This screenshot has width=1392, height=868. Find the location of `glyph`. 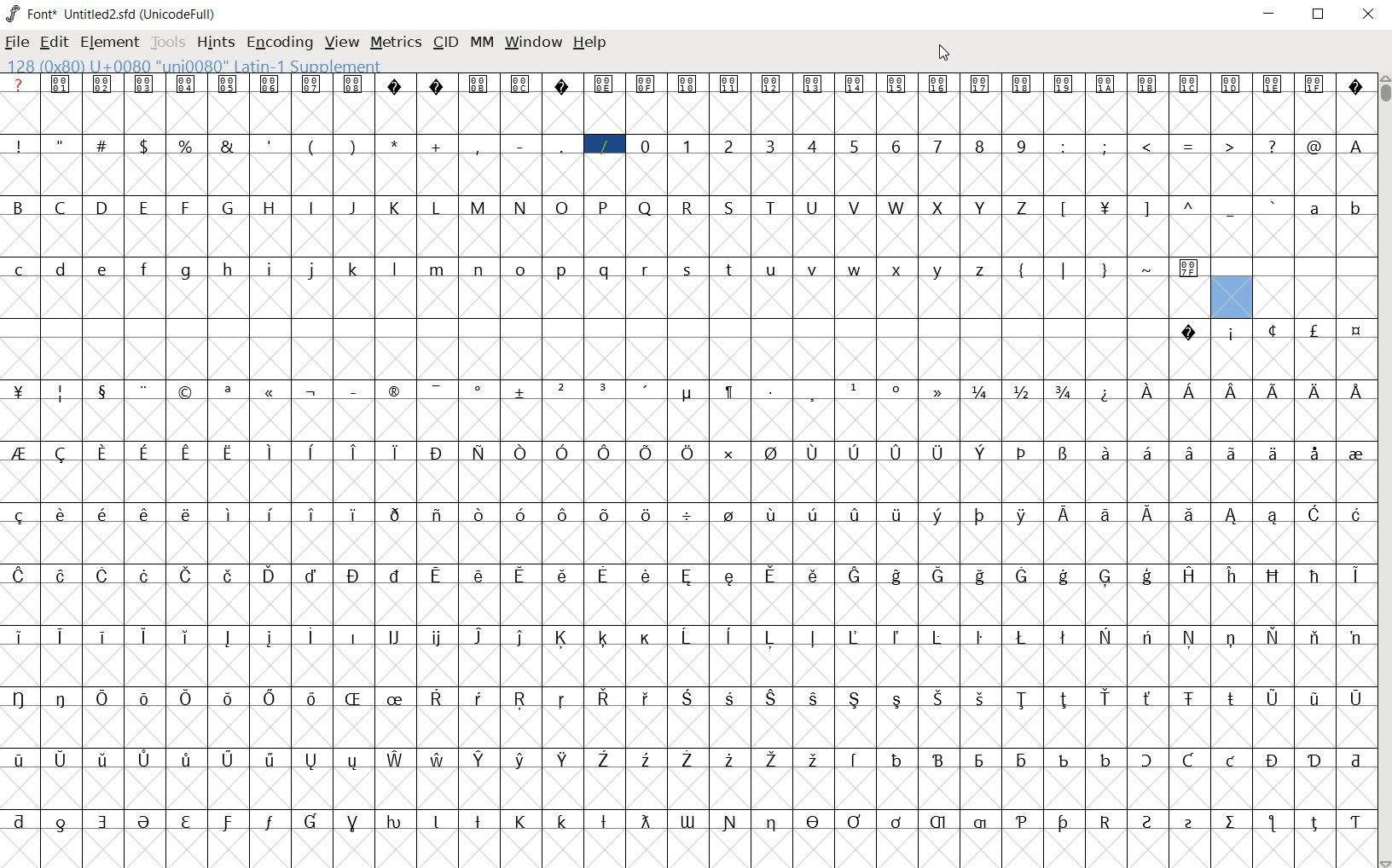

glyph is located at coordinates (312, 393).